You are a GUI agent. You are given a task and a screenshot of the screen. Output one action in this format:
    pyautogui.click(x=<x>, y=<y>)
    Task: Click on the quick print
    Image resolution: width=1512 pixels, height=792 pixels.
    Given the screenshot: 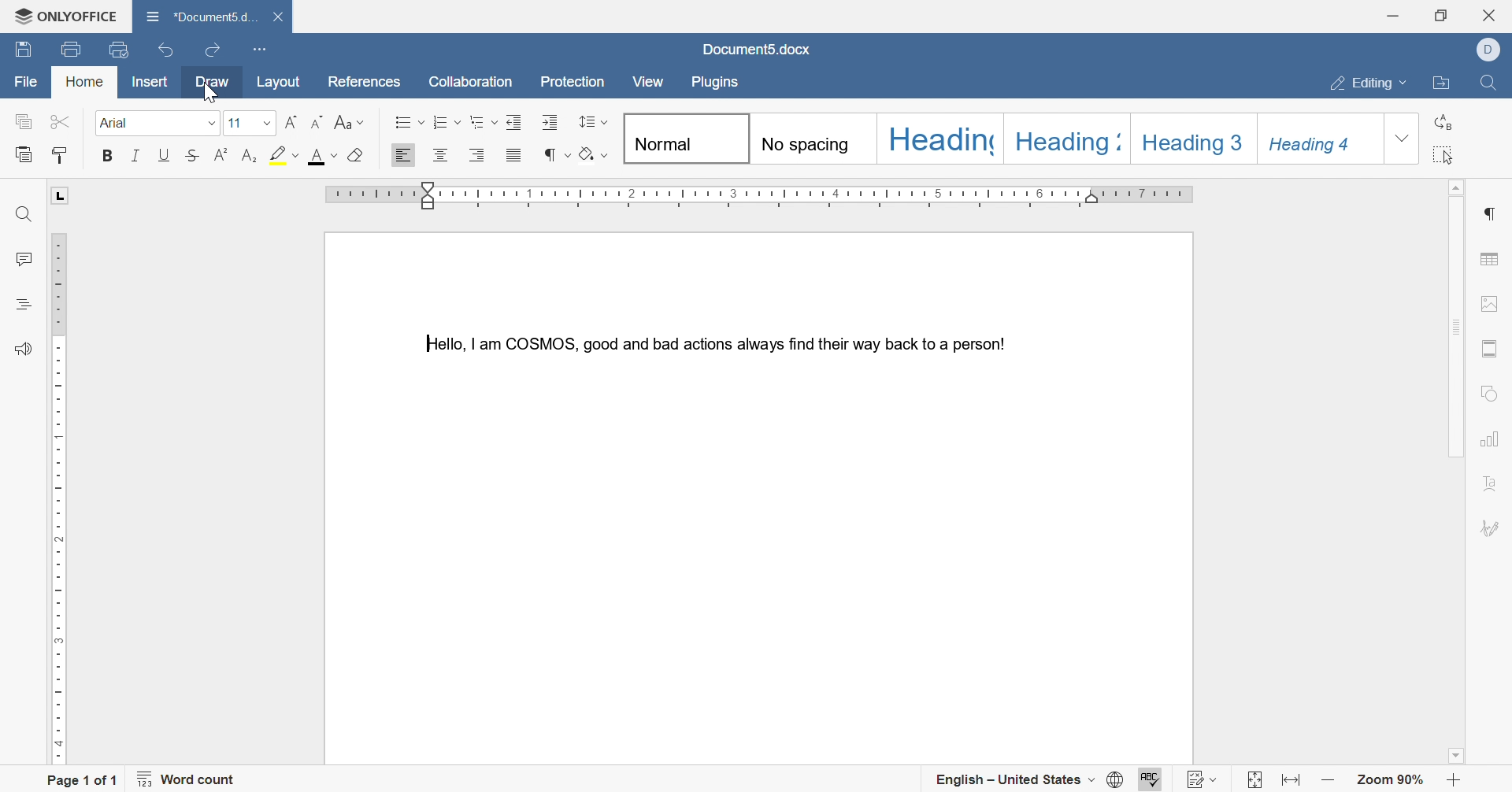 What is the action you would take?
    pyautogui.click(x=121, y=49)
    